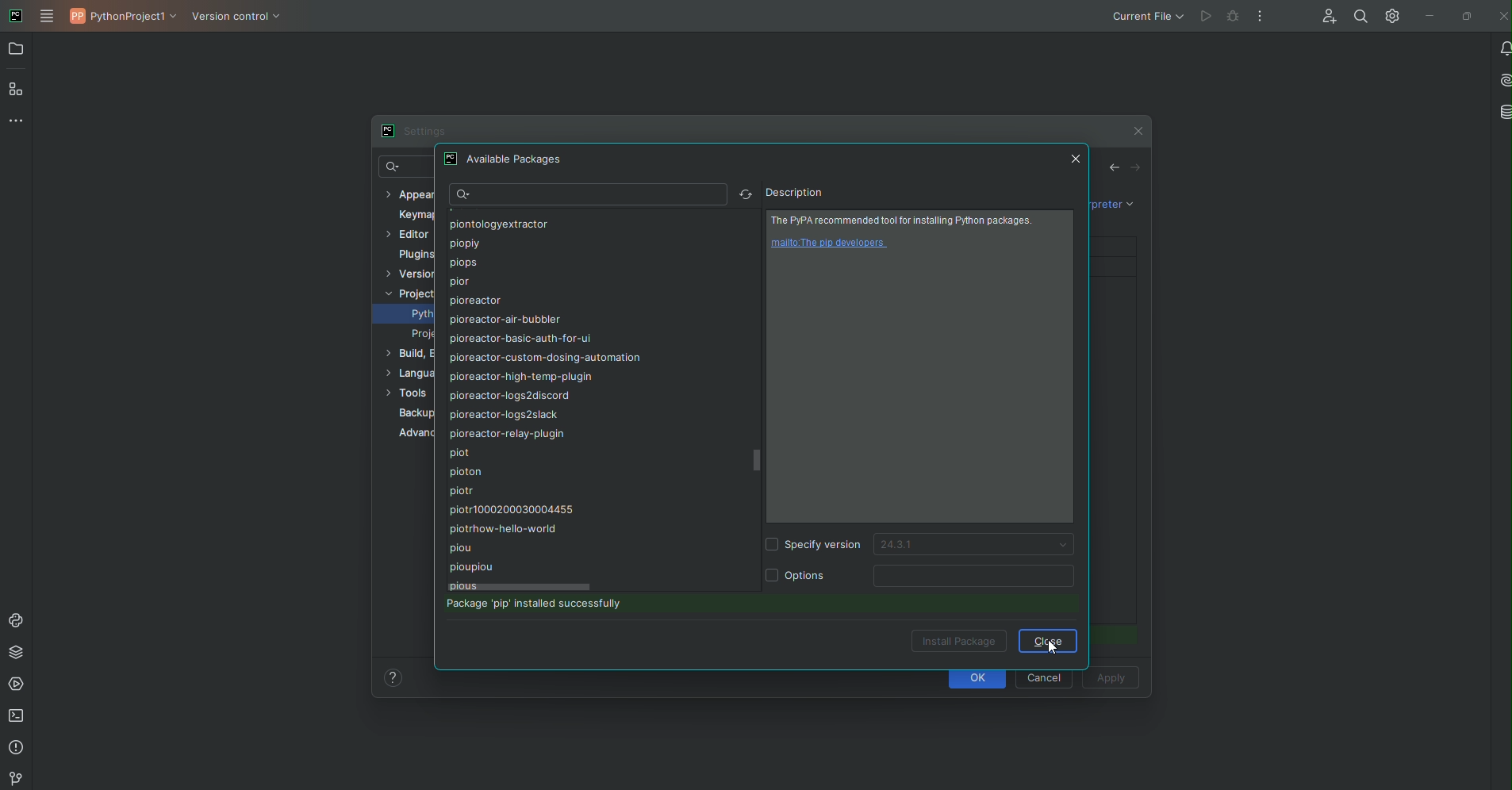 The height and width of the screenshot is (790, 1512). Describe the element at coordinates (15, 124) in the screenshot. I see `More Tools` at that location.